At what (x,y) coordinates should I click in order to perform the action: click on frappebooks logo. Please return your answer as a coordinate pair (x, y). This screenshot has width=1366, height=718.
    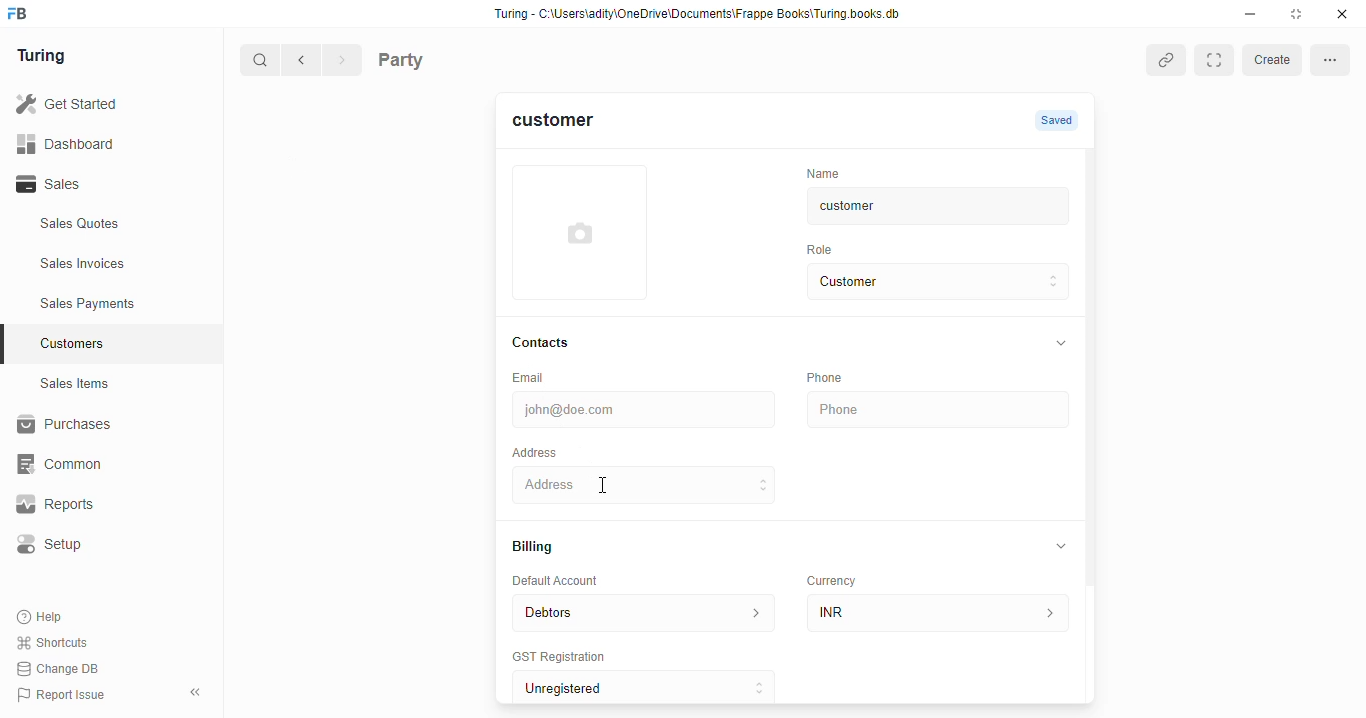
    Looking at the image, I should click on (23, 15).